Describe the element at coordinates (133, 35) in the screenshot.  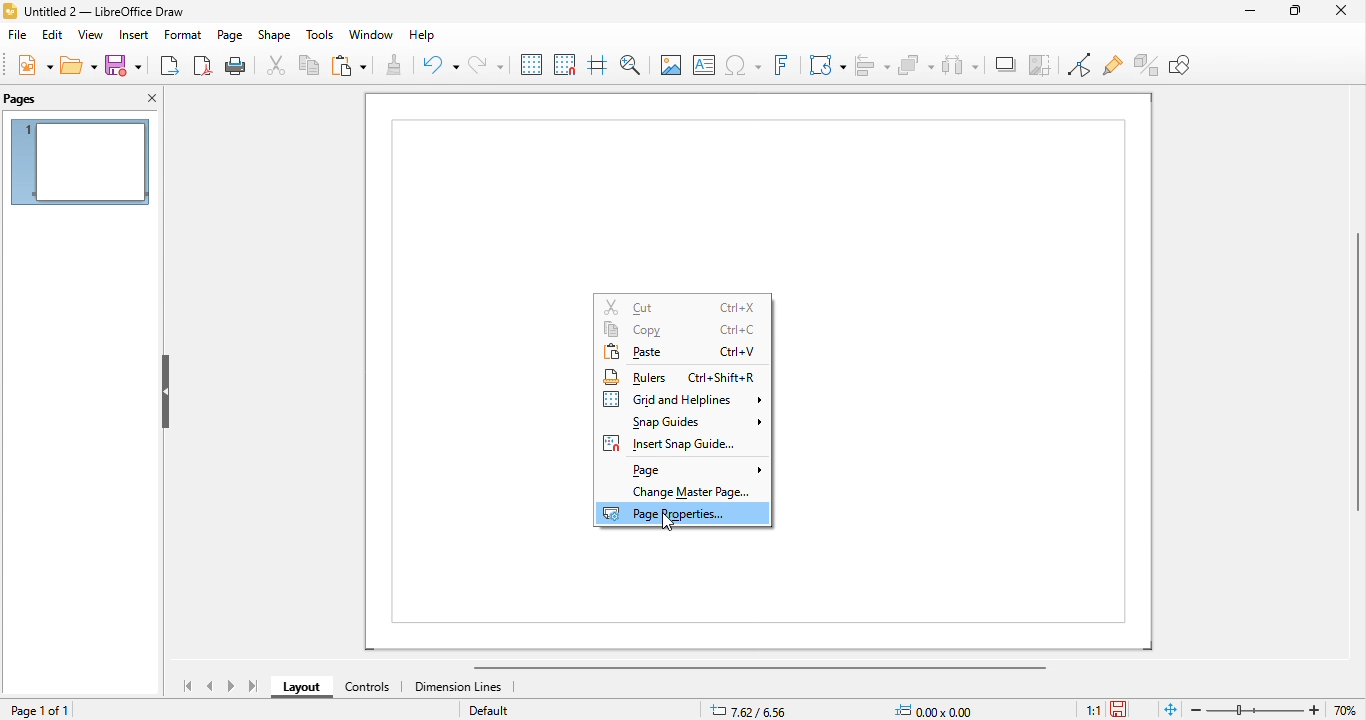
I see `insert ` at that location.